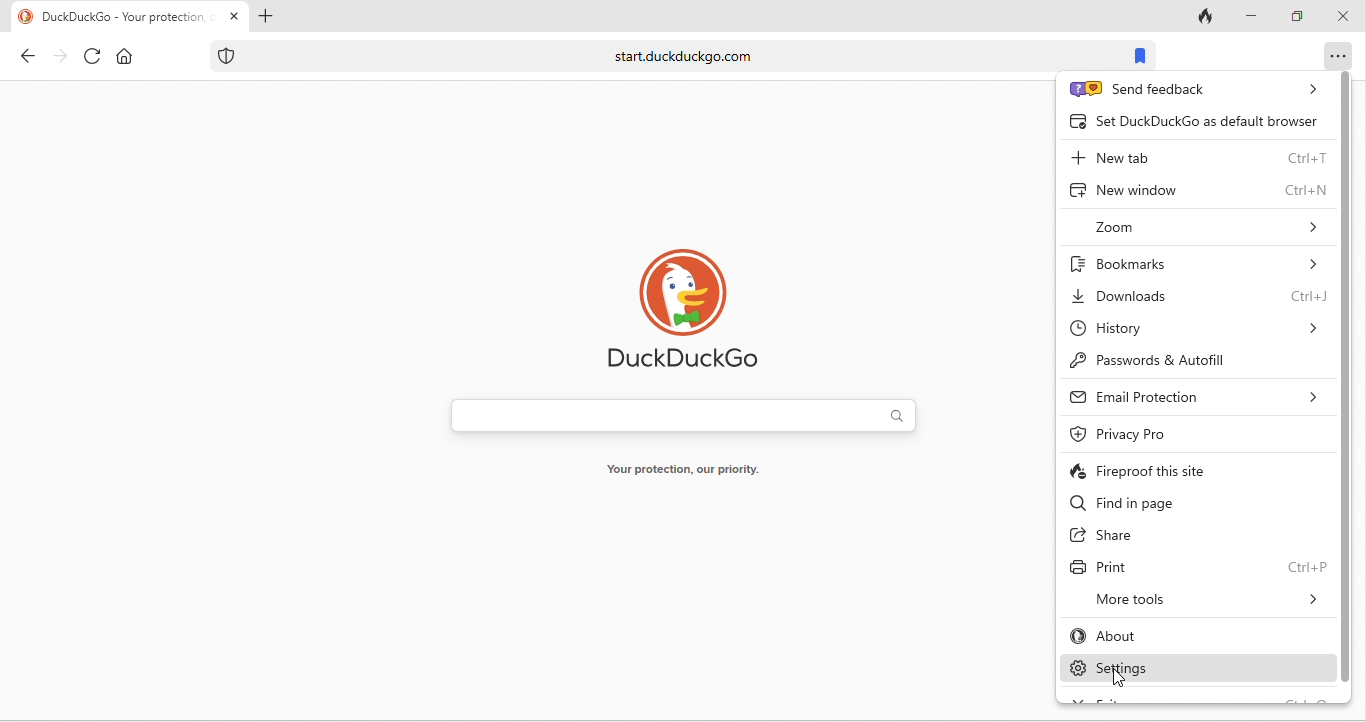 The height and width of the screenshot is (722, 1366). I want to click on vertical scroll bar, so click(1347, 379).